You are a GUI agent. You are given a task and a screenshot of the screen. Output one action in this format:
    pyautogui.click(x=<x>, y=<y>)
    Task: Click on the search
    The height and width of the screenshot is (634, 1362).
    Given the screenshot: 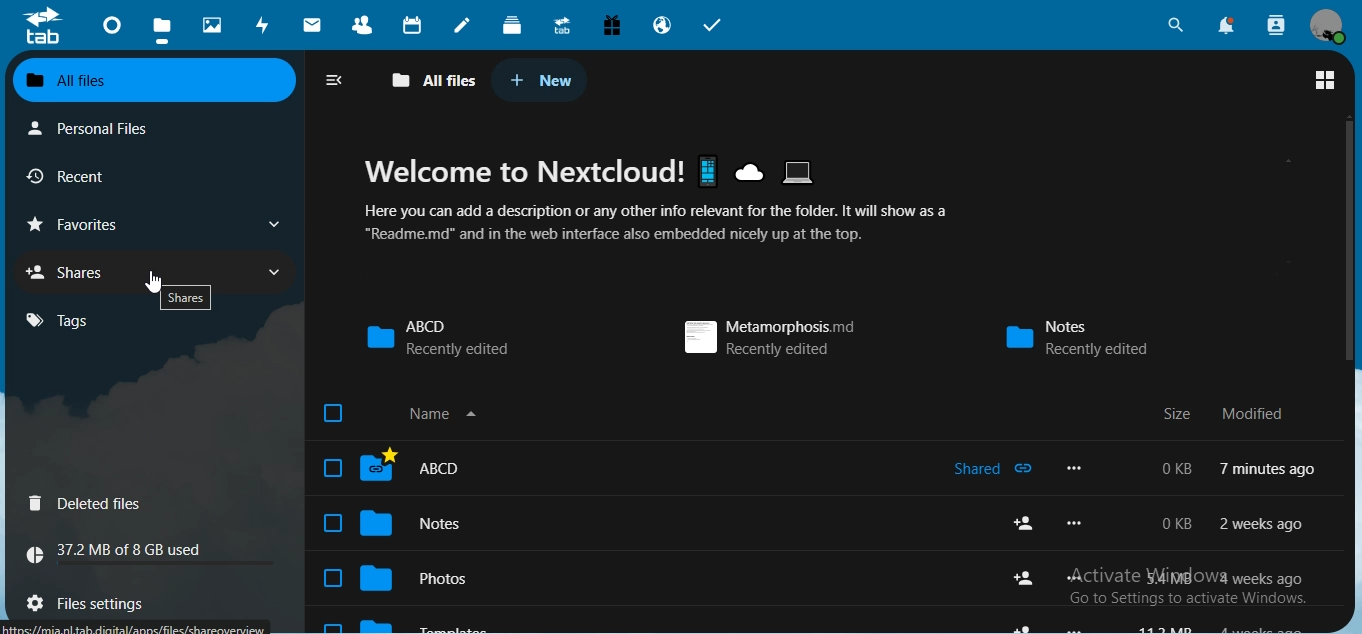 What is the action you would take?
    pyautogui.click(x=1176, y=24)
    